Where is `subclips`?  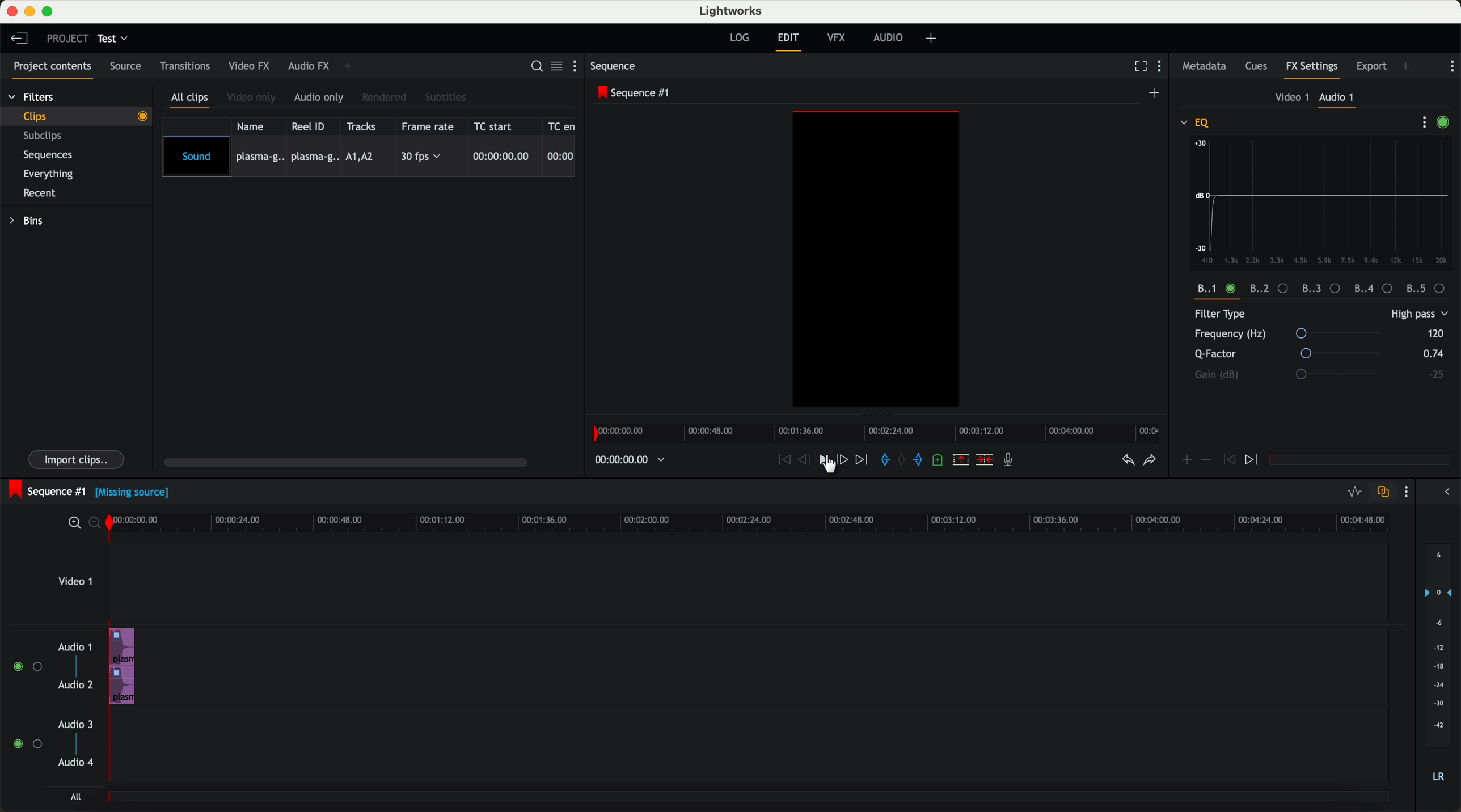
subclips is located at coordinates (45, 137).